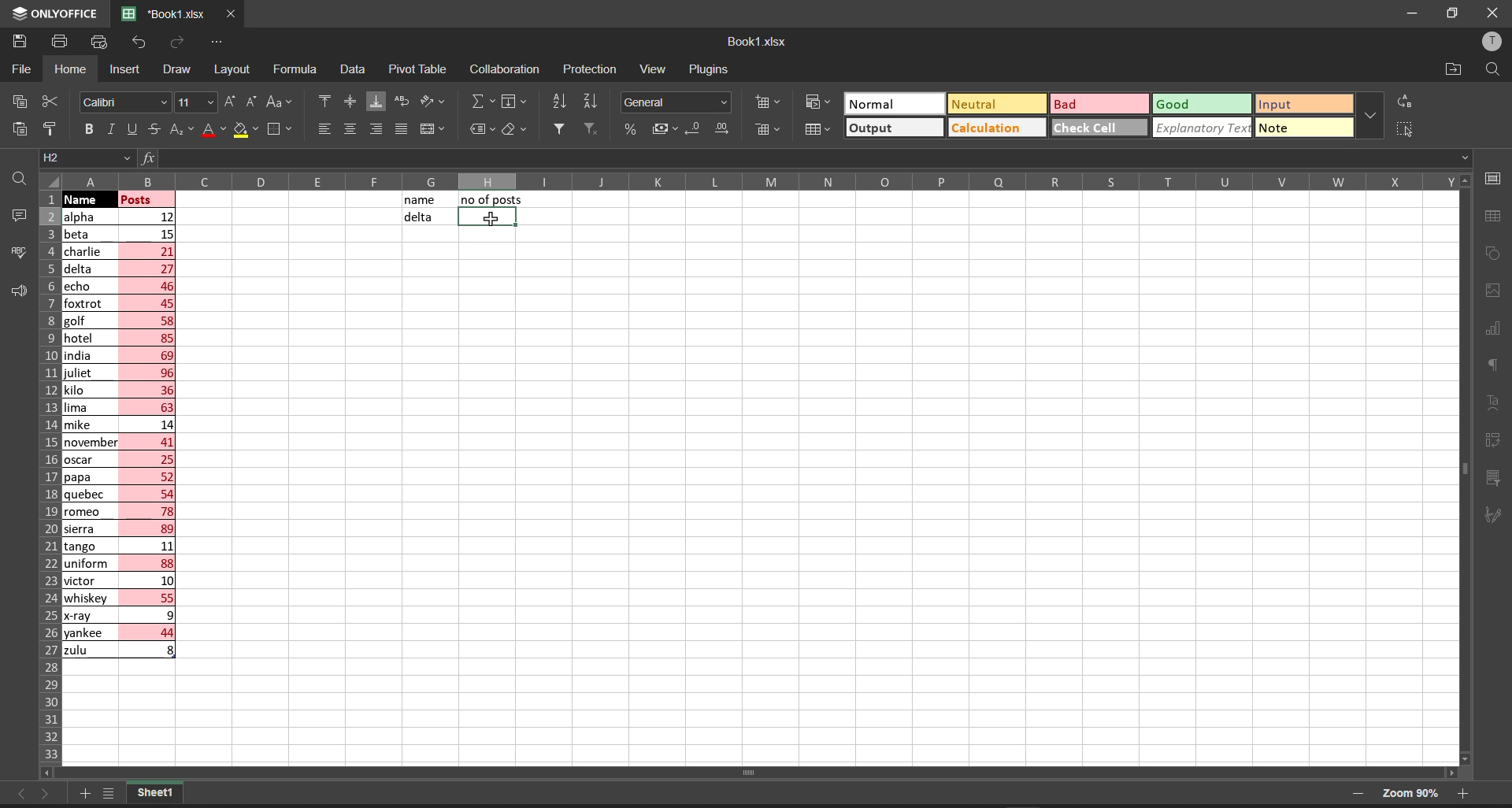 Image resolution: width=1512 pixels, height=808 pixels. I want to click on chart settings, so click(1499, 329).